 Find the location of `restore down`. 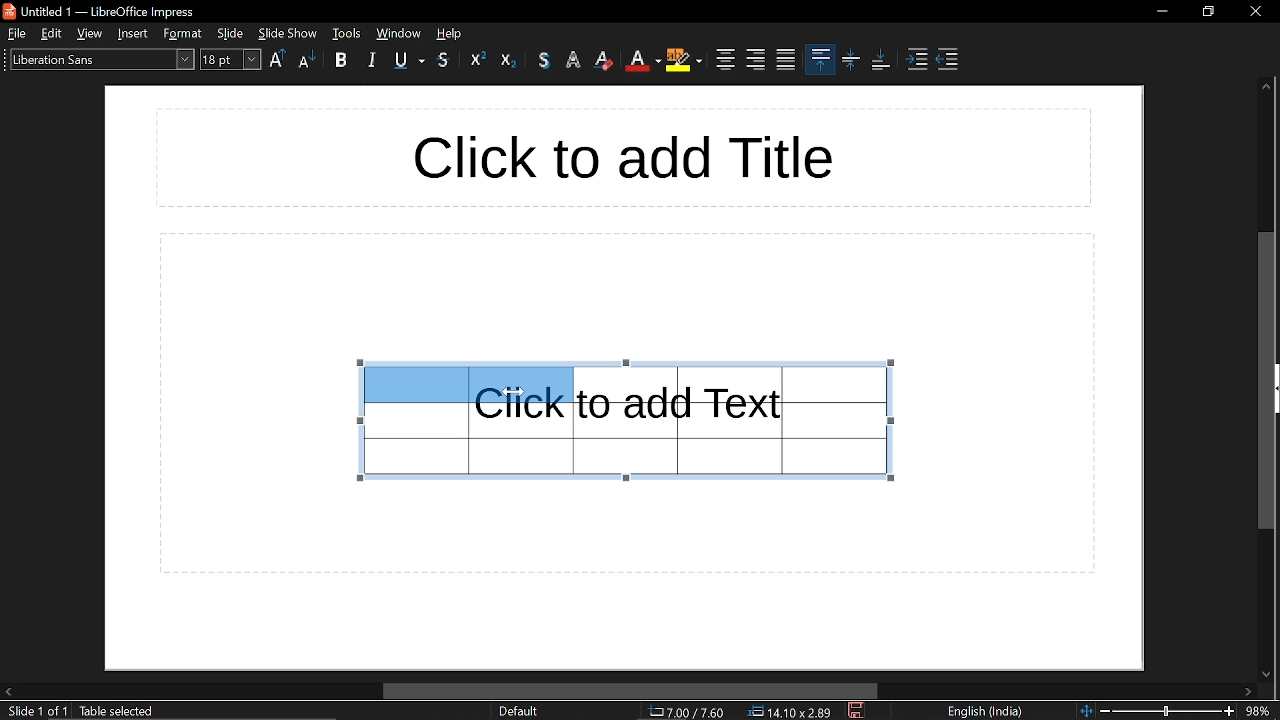

restore down is located at coordinates (1209, 11).